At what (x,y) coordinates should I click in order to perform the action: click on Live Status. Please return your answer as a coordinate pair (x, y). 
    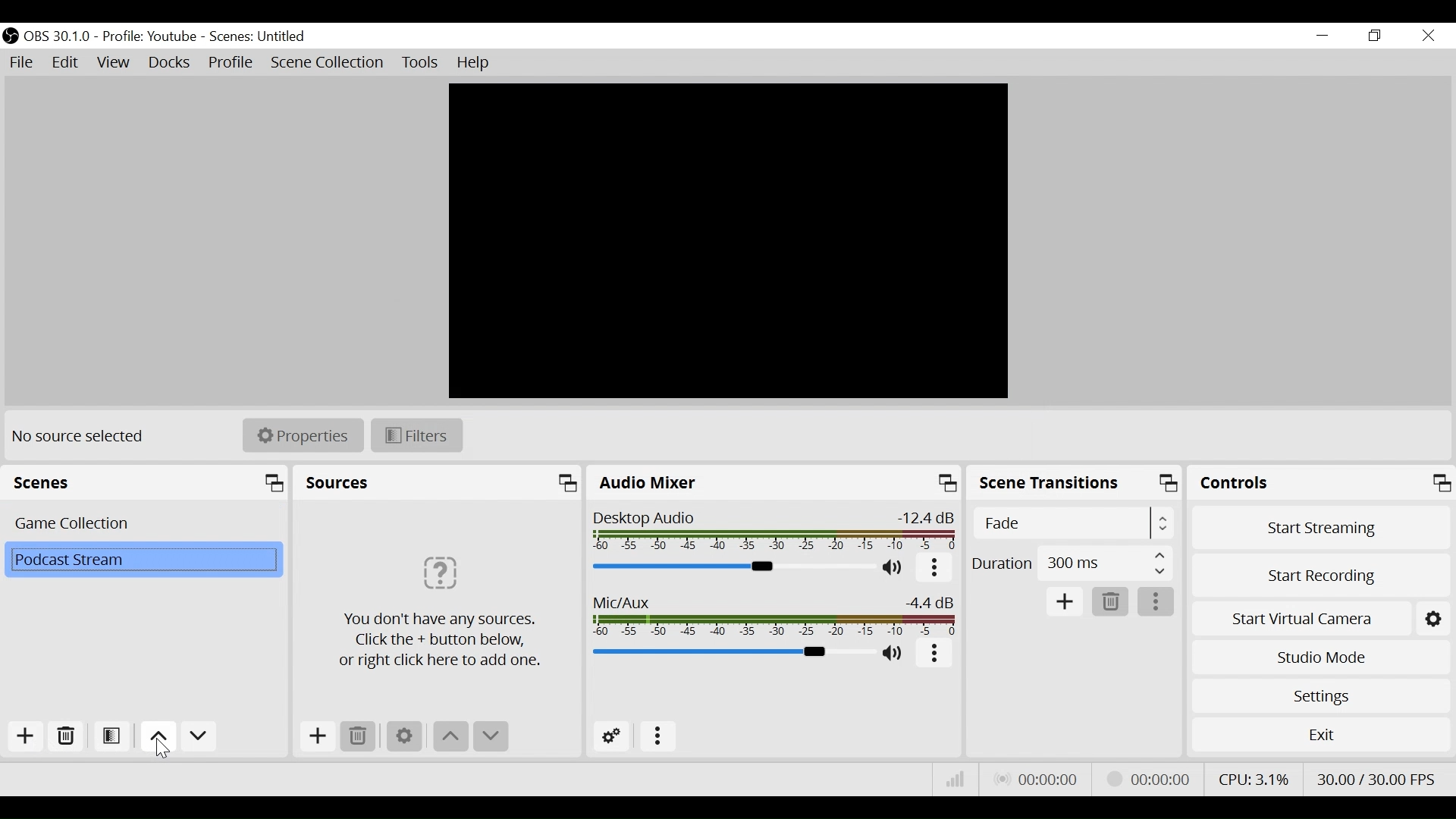
    Looking at the image, I should click on (1035, 777).